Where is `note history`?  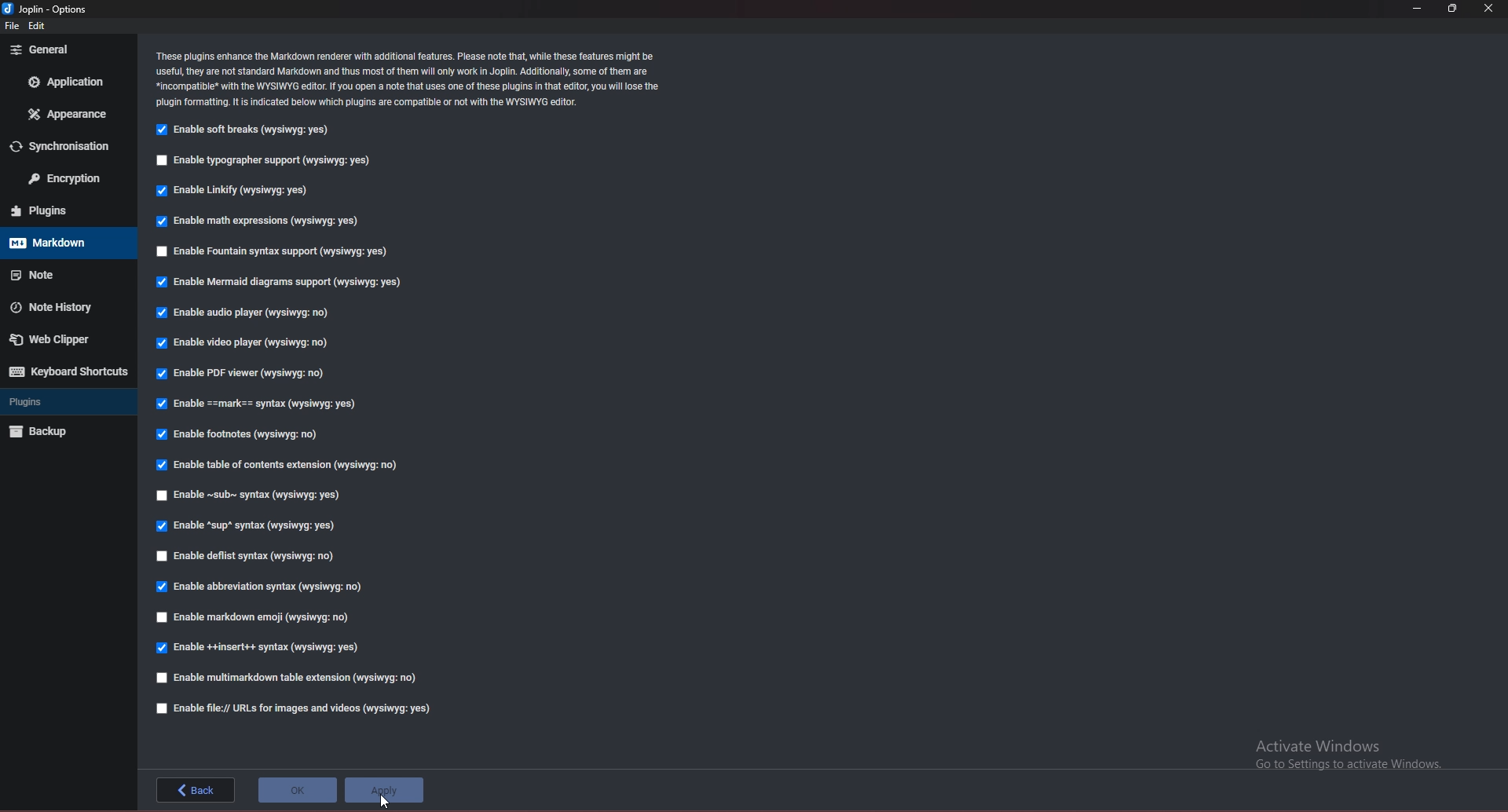
note history is located at coordinates (62, 307).